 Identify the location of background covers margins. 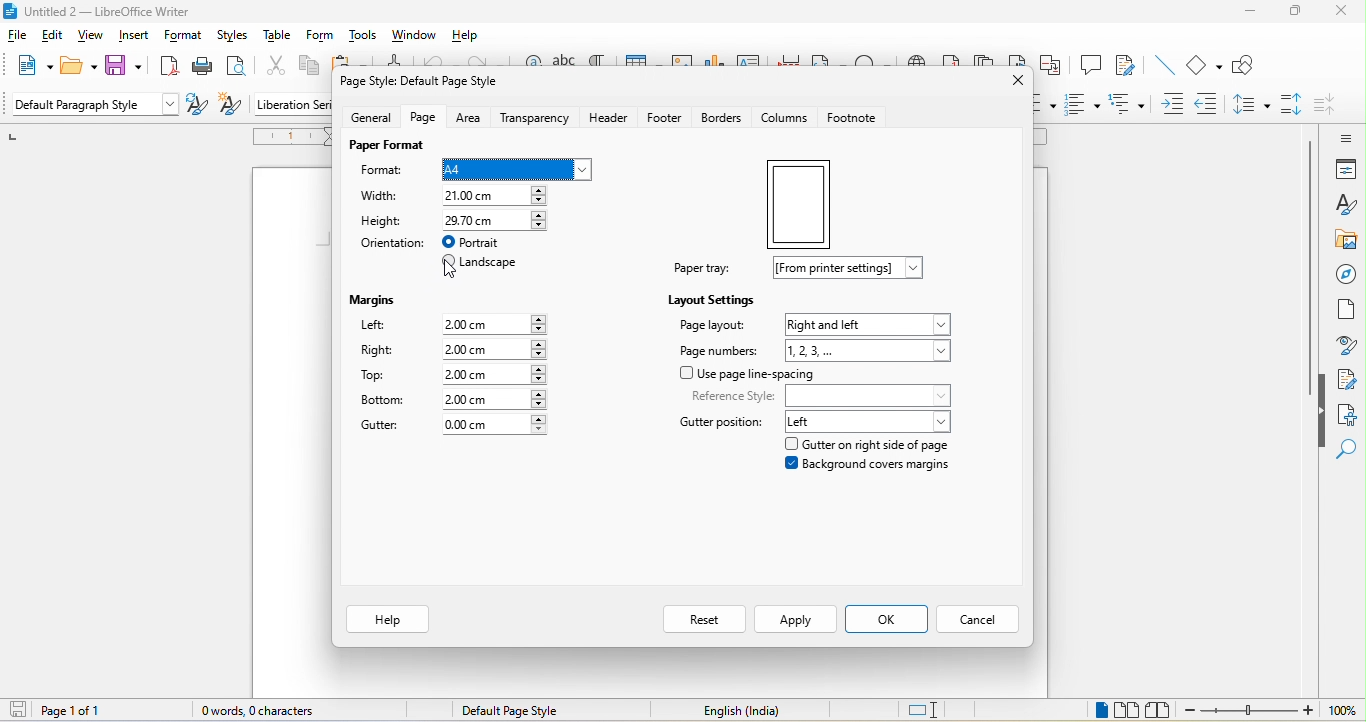
(871, 468).